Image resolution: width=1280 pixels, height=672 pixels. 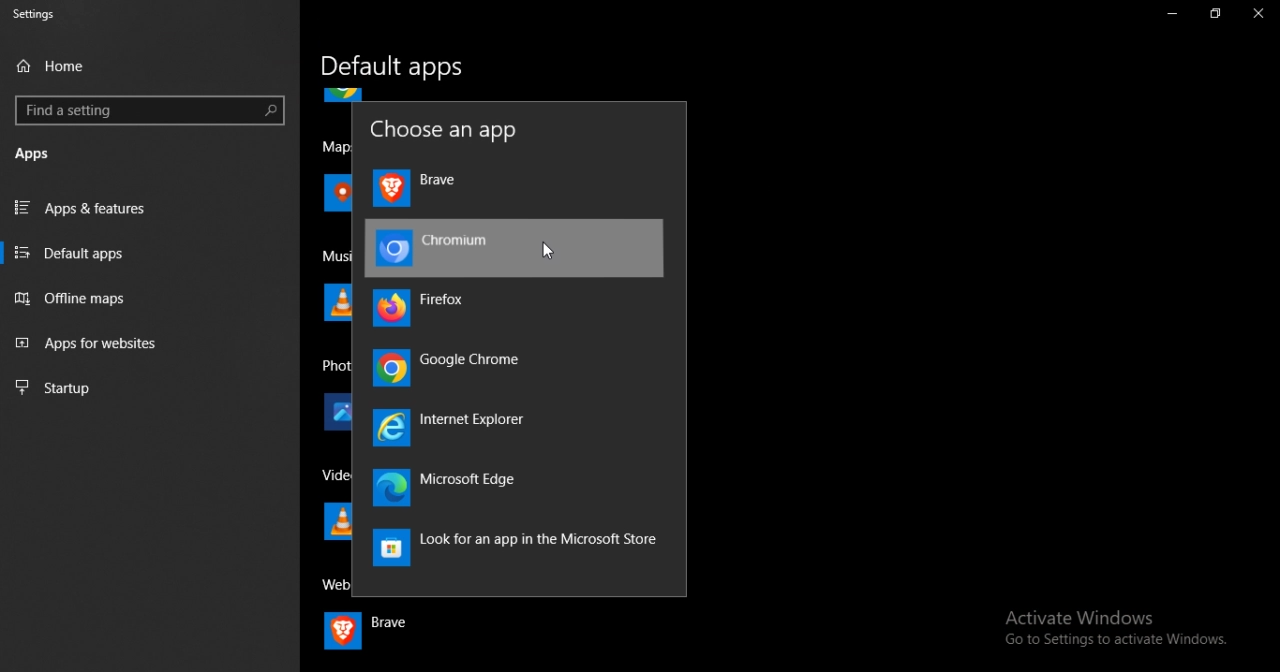 What do you see at coordinates (41, 14) in the screenshot?
I see `settings` at bounding box center [41, 14].